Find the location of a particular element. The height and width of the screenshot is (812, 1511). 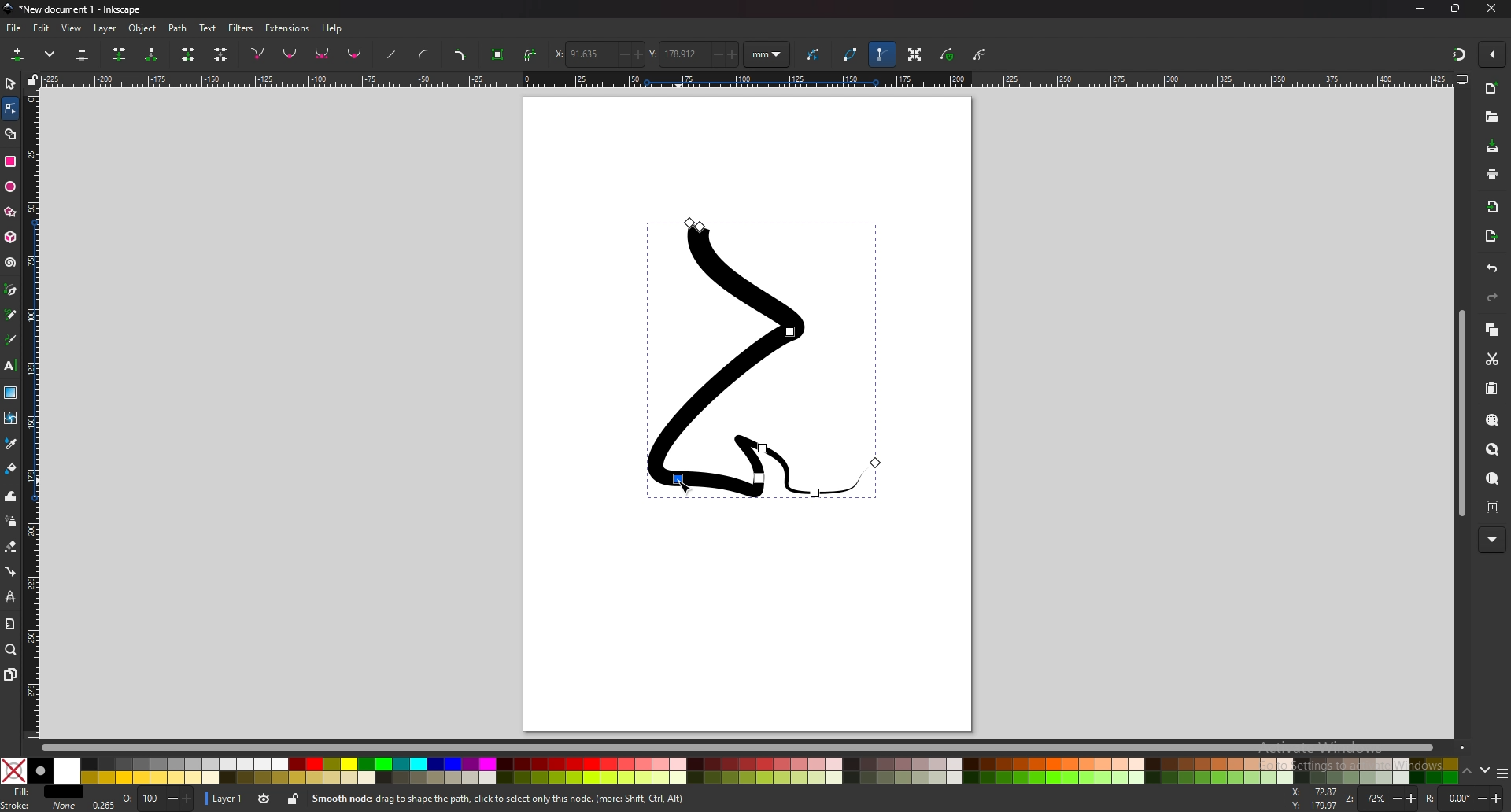

copy is located at coordinates (1493, 331).